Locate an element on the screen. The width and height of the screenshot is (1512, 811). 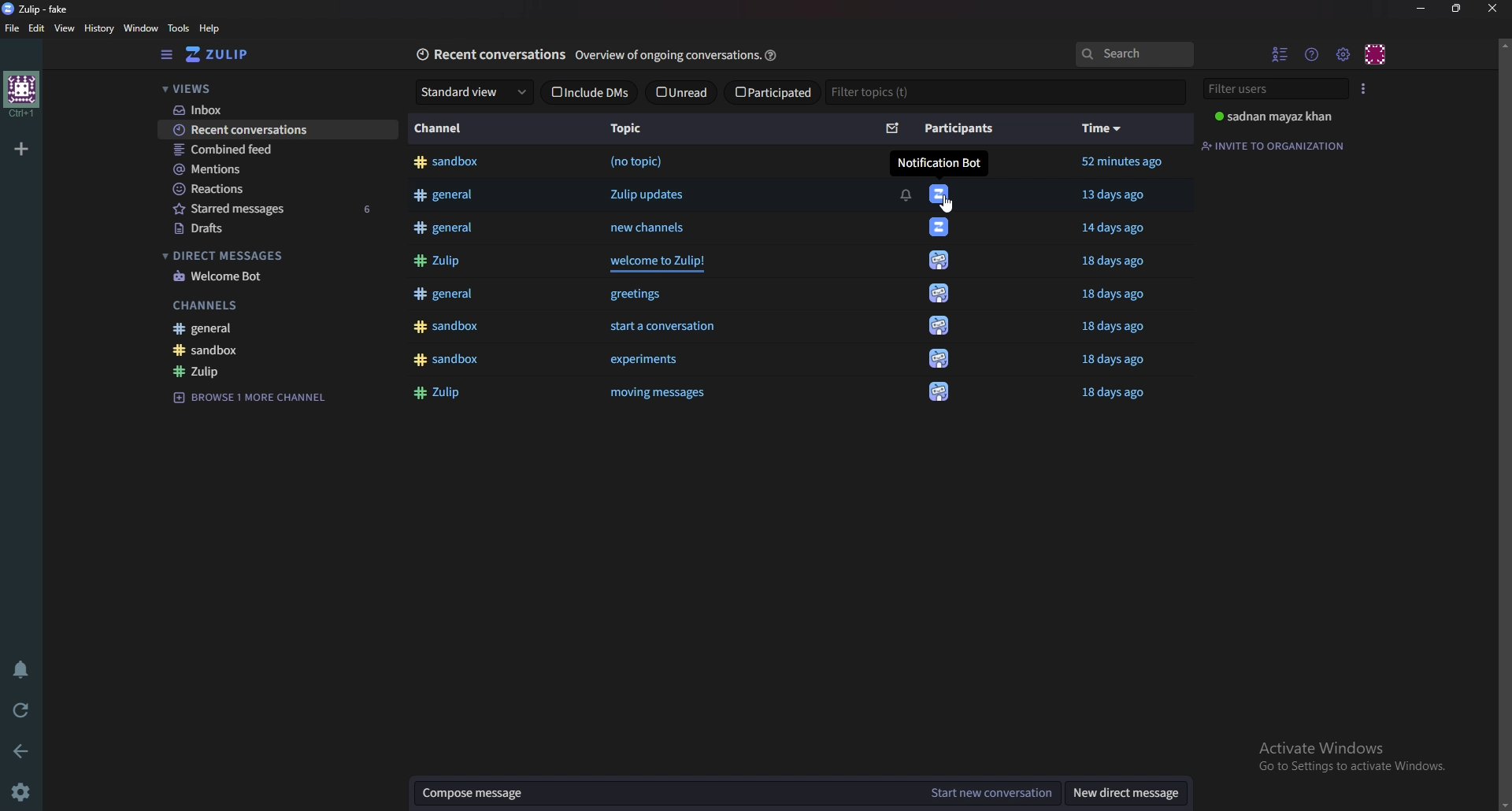
Direct messages is located at coordinates (262, 254).